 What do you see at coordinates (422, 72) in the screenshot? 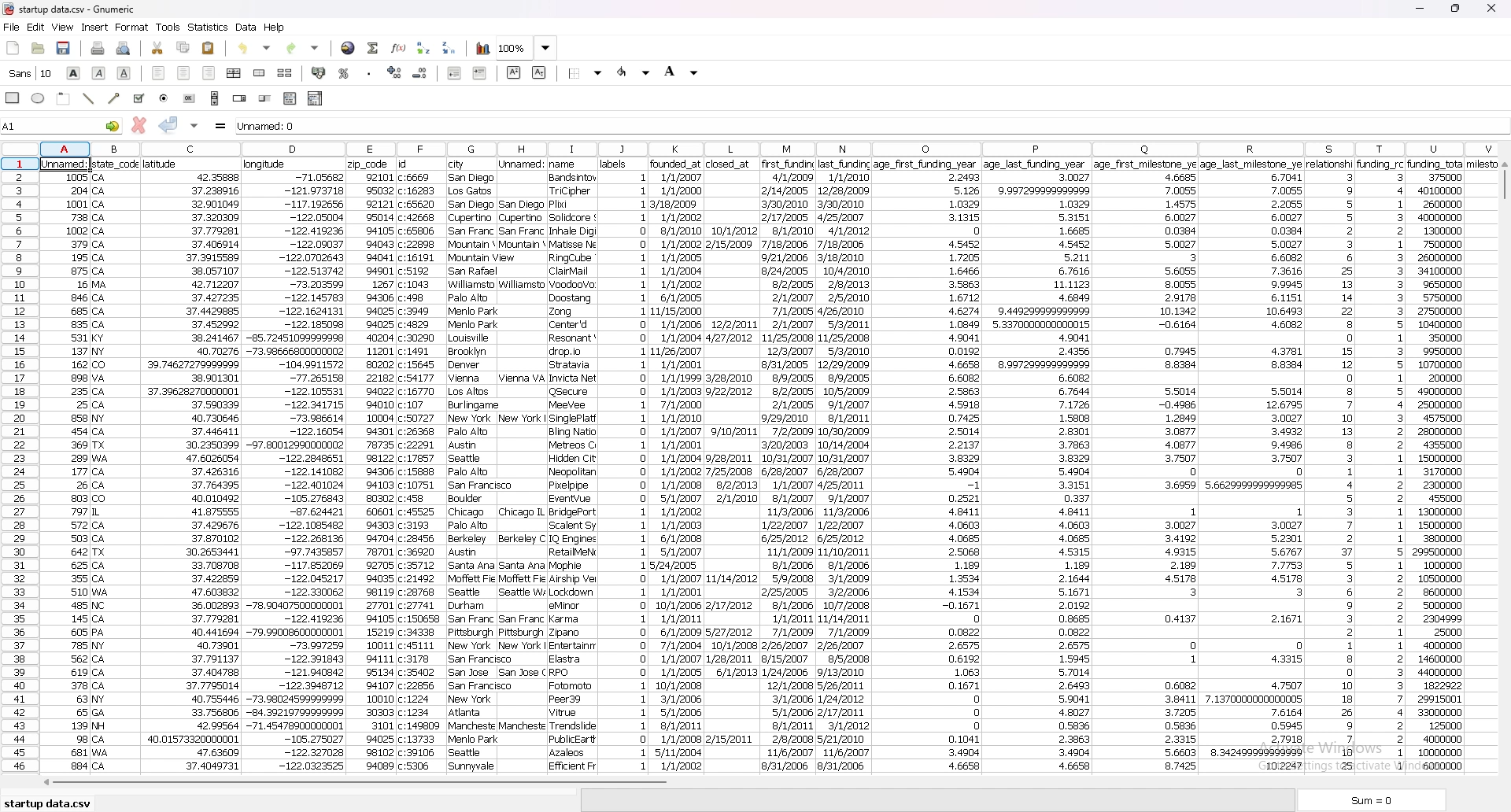
I see `decrease decimals` at bounding box center [422, 72].